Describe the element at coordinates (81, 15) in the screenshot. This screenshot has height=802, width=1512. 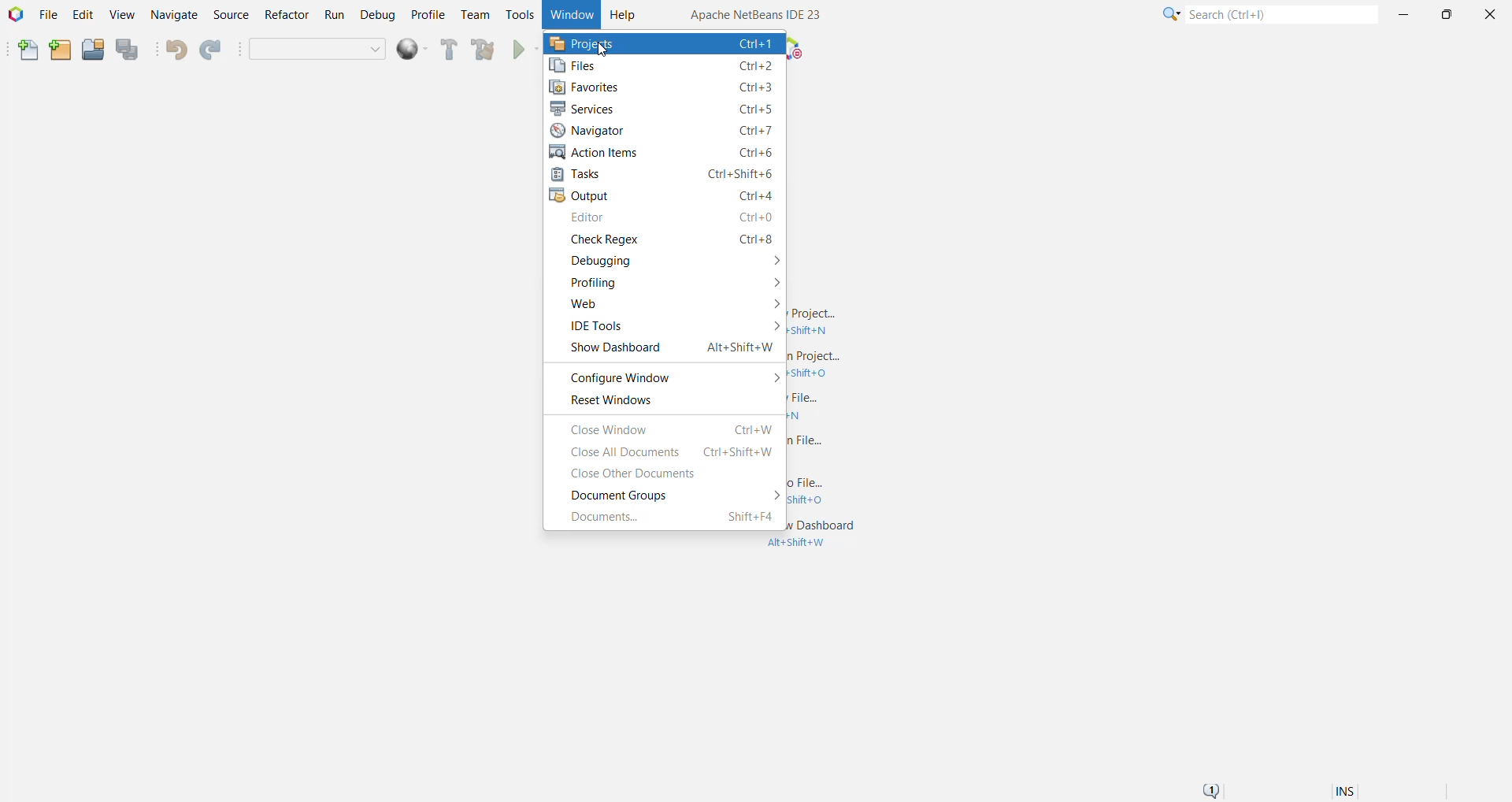
I see `Edit` at that location.